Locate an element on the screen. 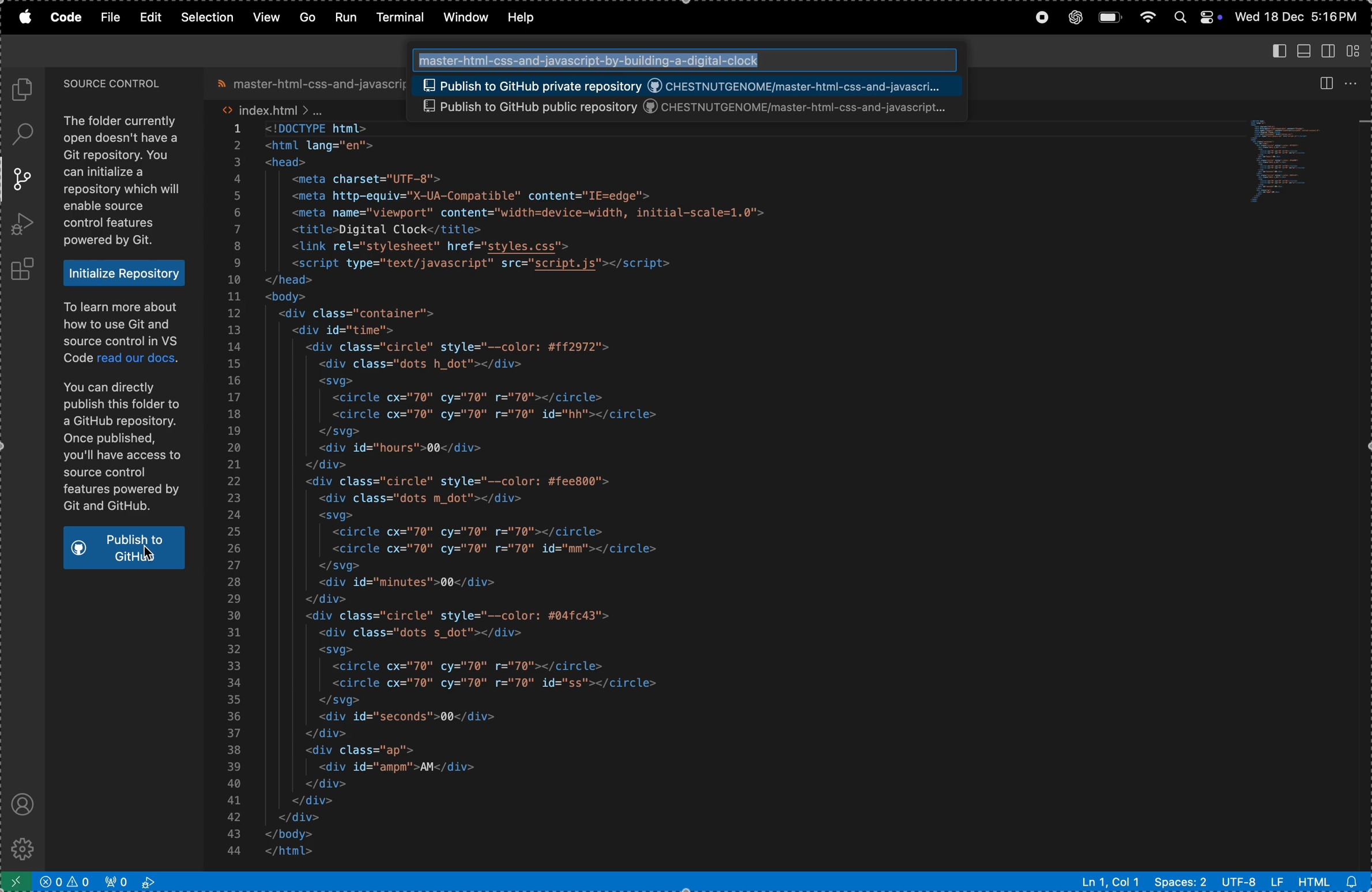  index .html file is located at coordinates (273, 108).